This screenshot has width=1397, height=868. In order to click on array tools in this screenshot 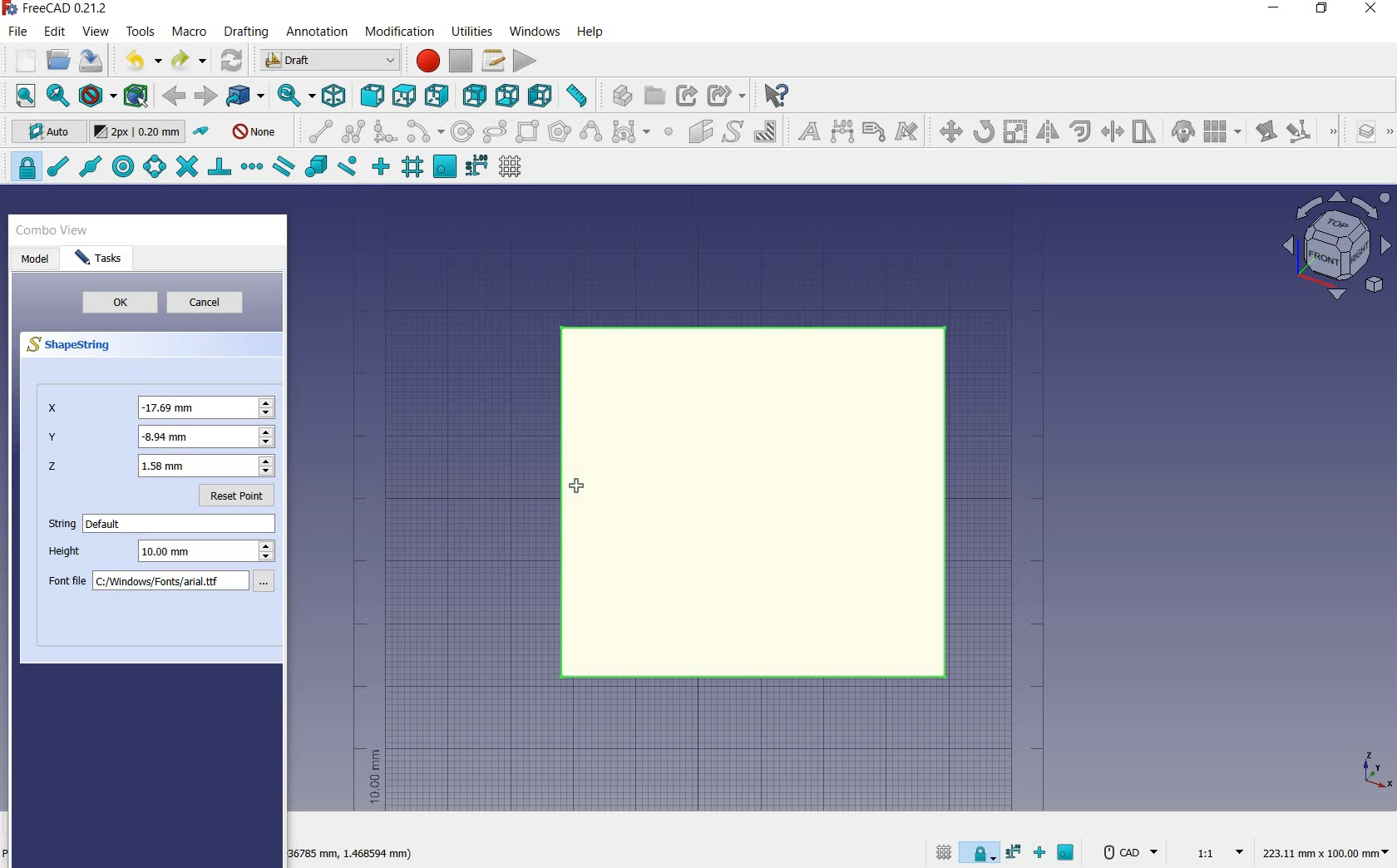, I will do `click(1223, 133)`.